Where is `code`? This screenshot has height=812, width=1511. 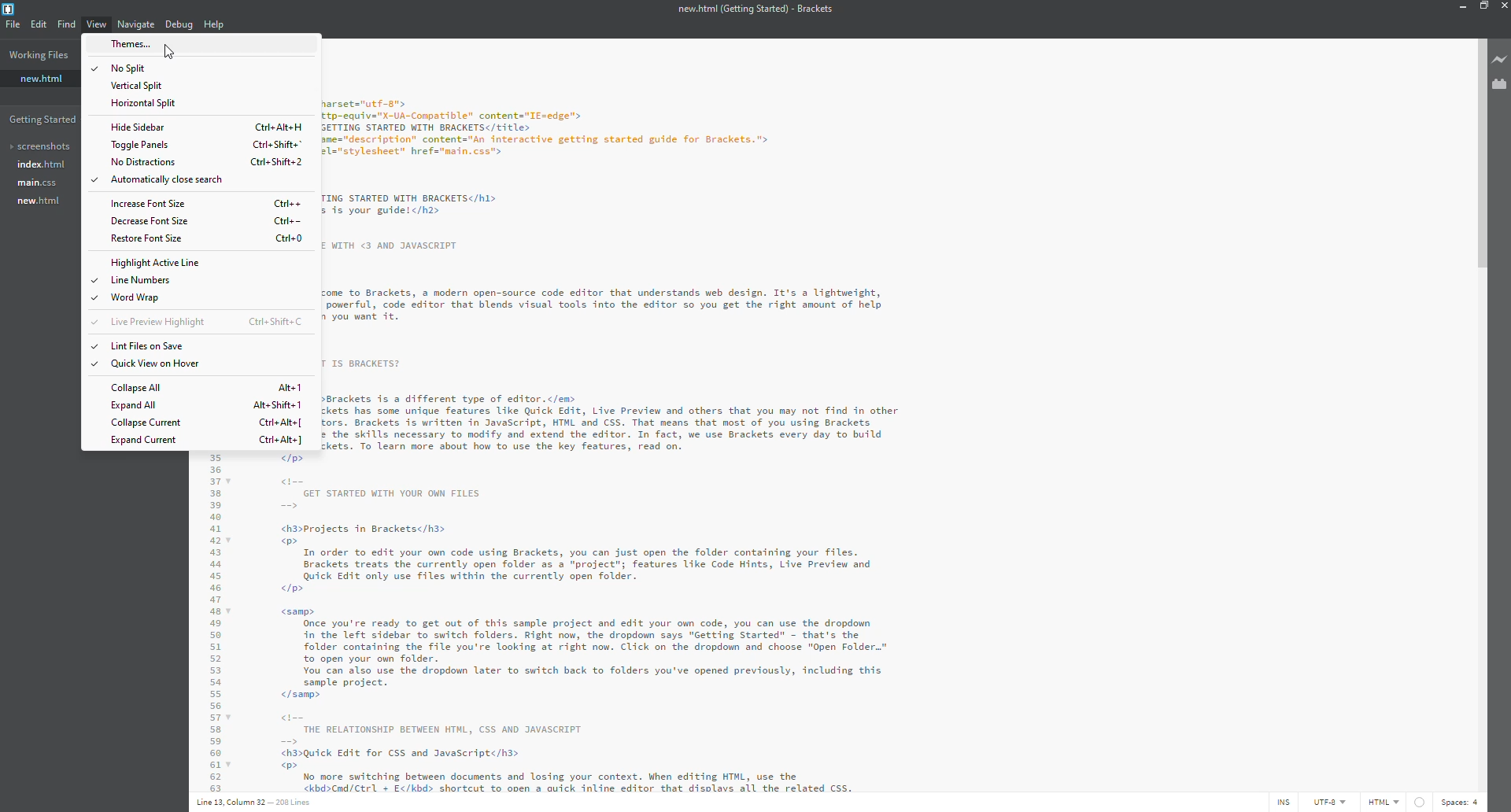
code is located at coordinates (792, 416).